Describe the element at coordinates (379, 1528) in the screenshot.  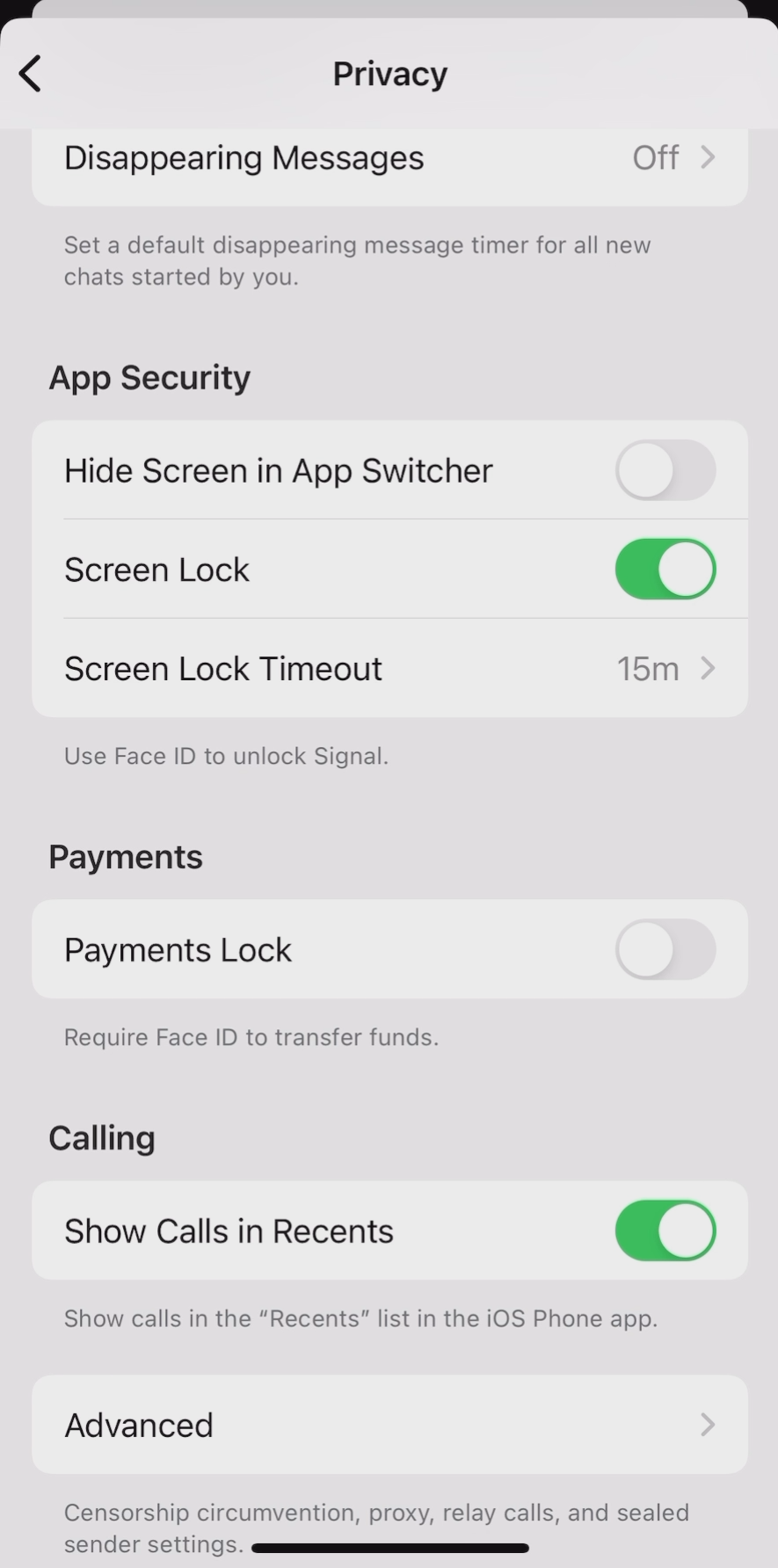
I see `information text` at that location.